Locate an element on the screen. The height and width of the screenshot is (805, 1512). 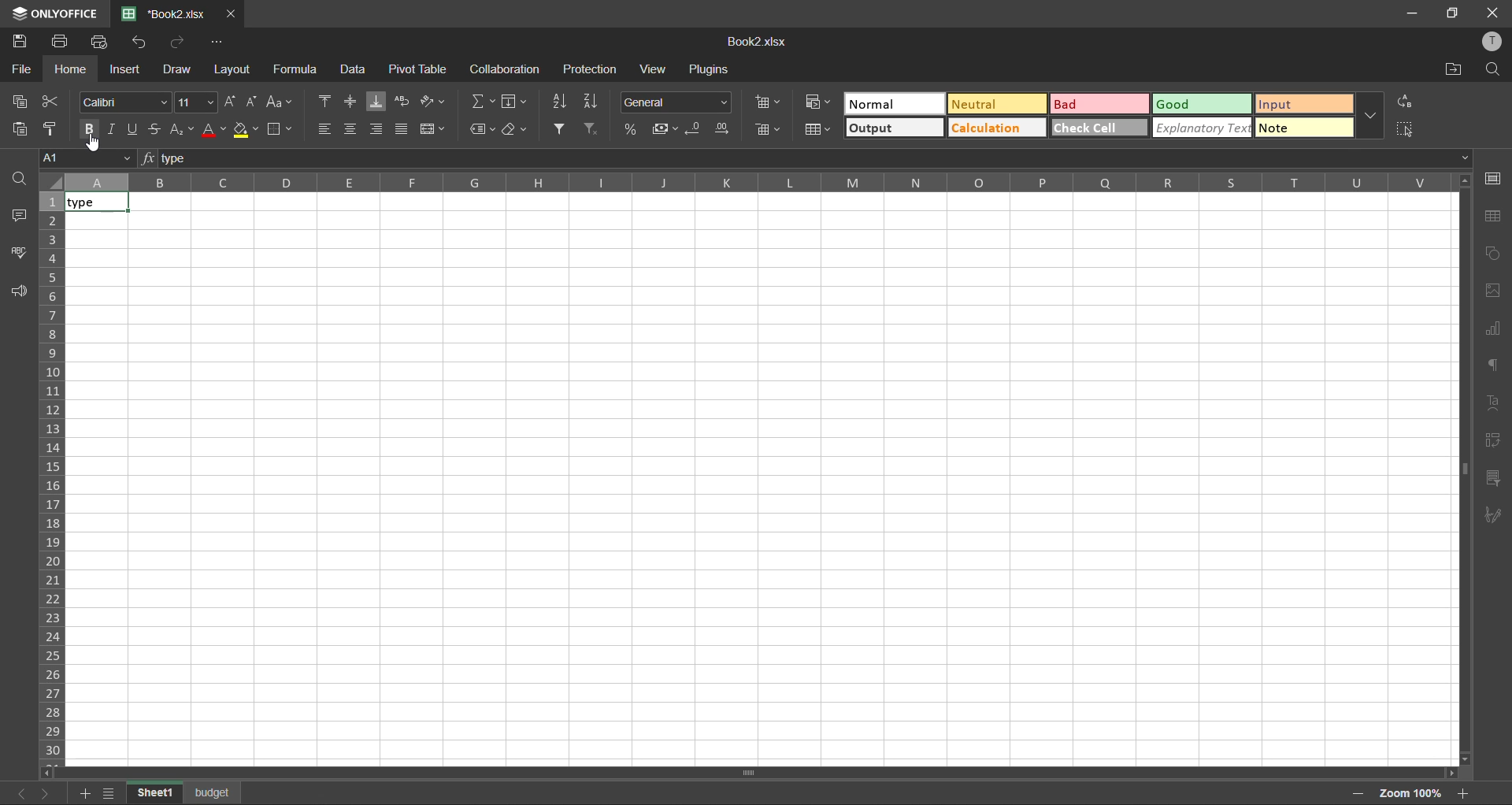
table is located at coordinates (1497, 216).